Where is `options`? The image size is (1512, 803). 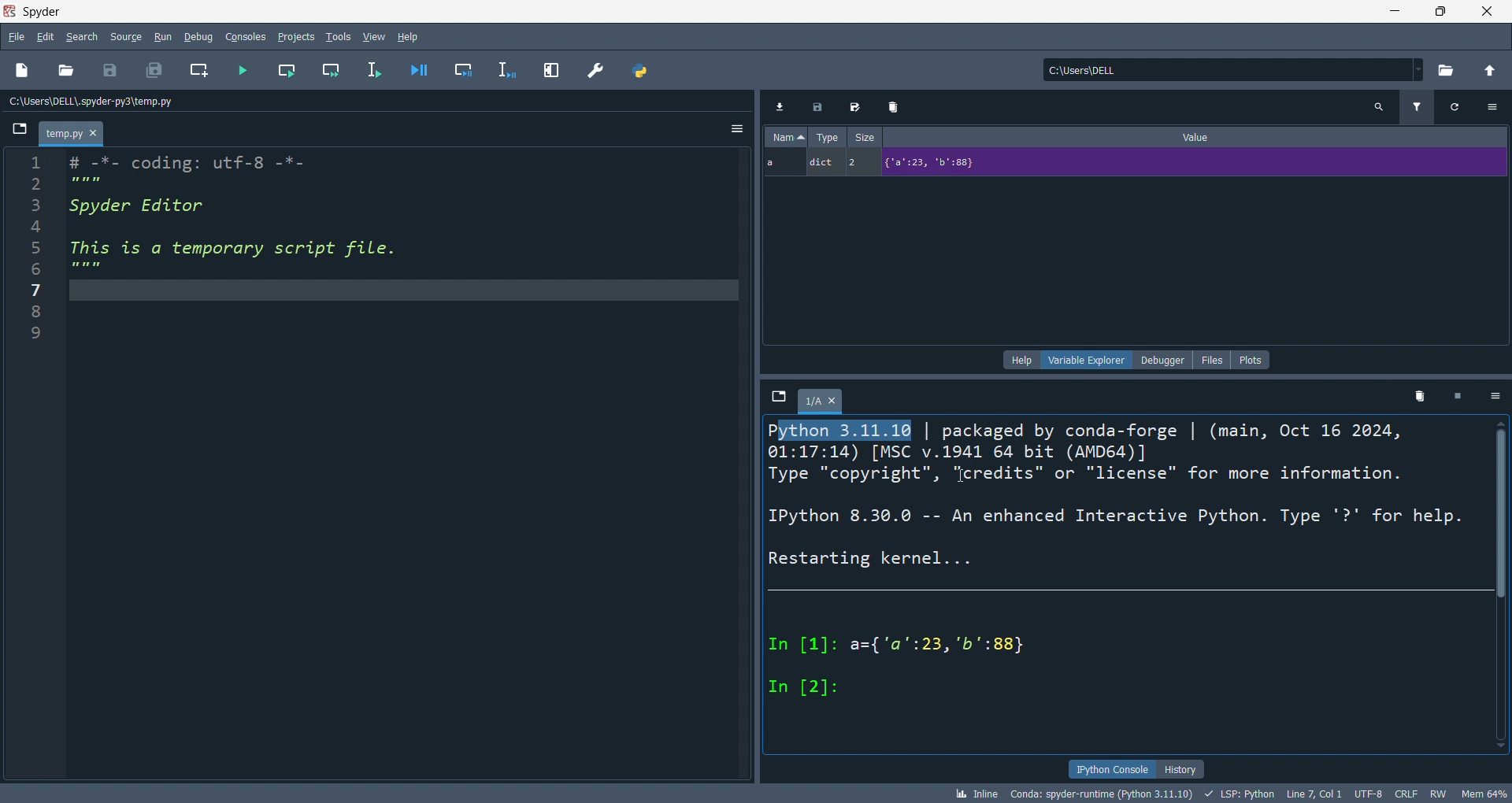
options is located at coordinates (1498, 397).